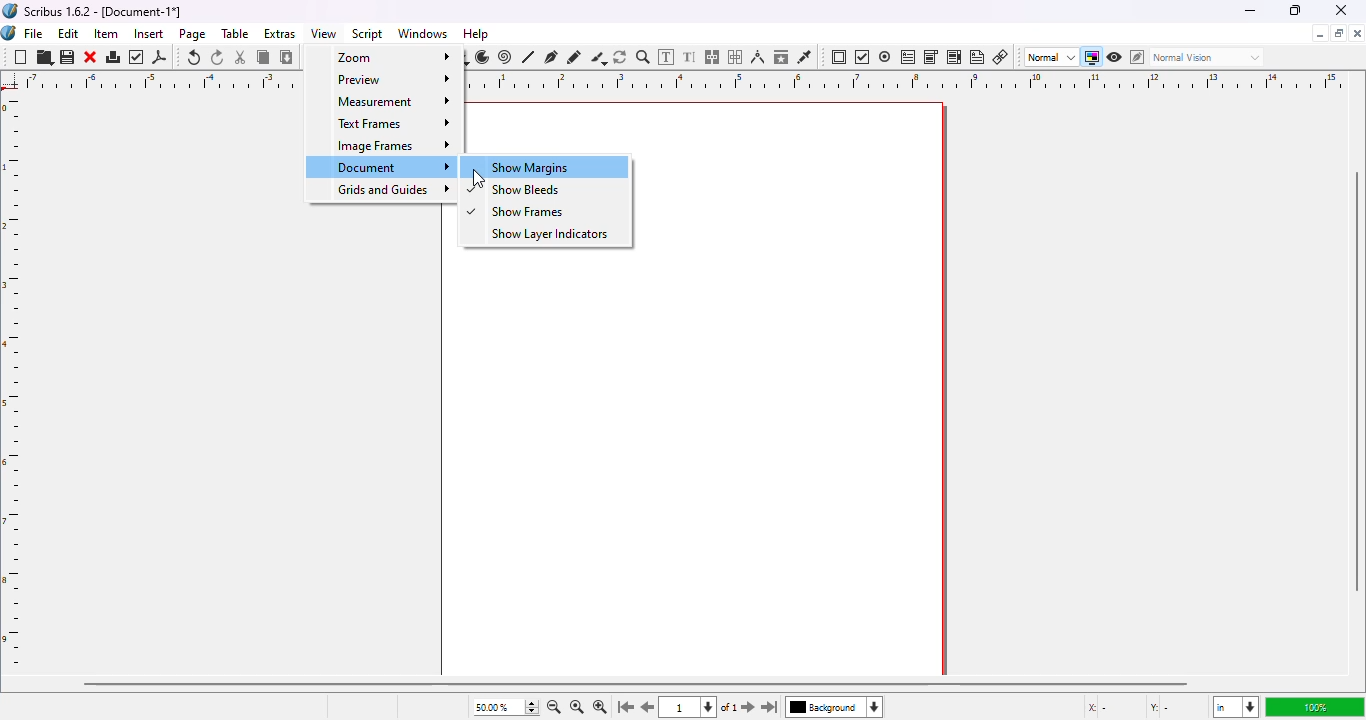 This screenshot has height=720, width=1366. I want to click on go to the previous pagr, so click(649, 708).